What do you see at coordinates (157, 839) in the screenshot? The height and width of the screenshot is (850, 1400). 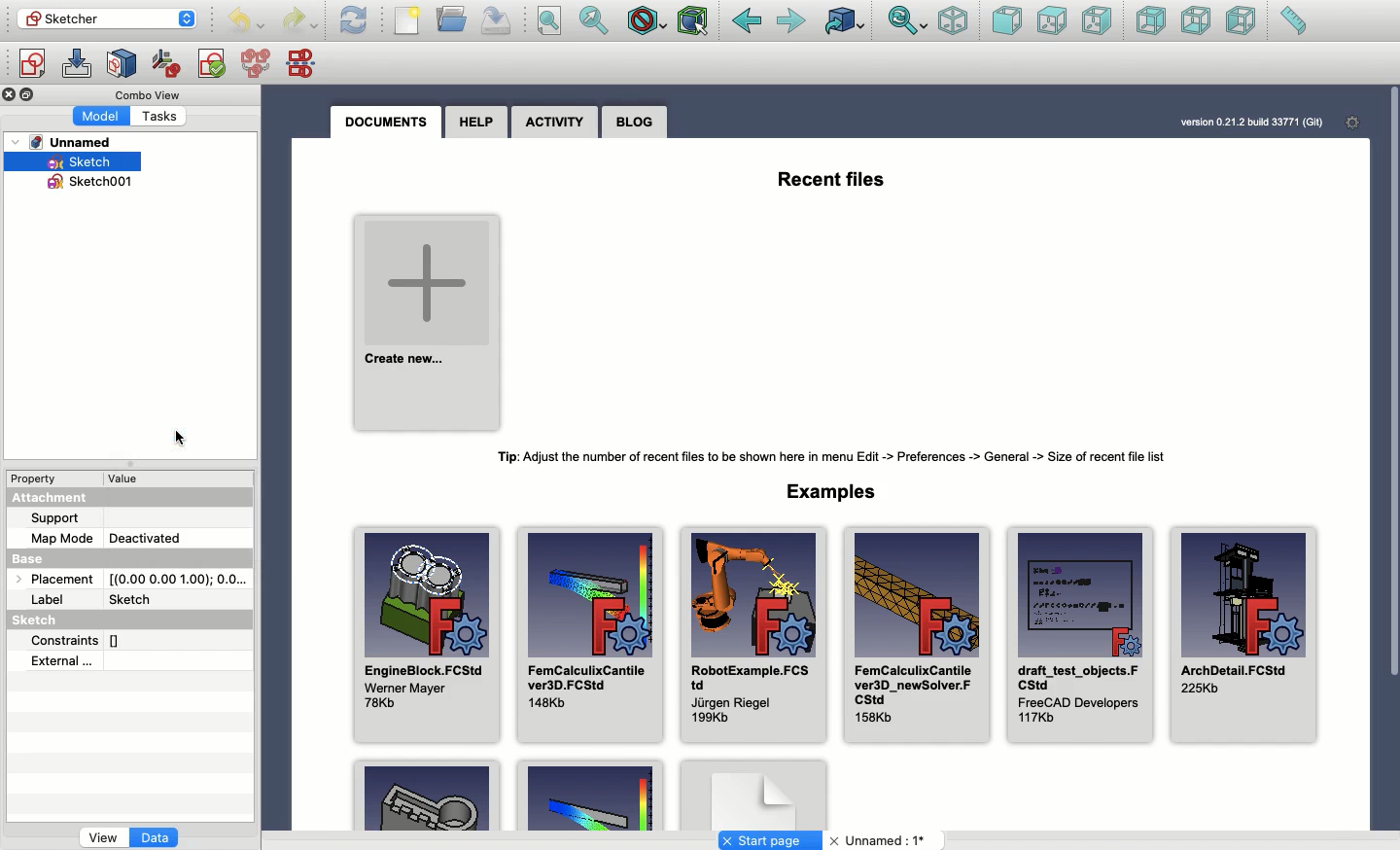 I see `Data` at bounding box center [157, 839].